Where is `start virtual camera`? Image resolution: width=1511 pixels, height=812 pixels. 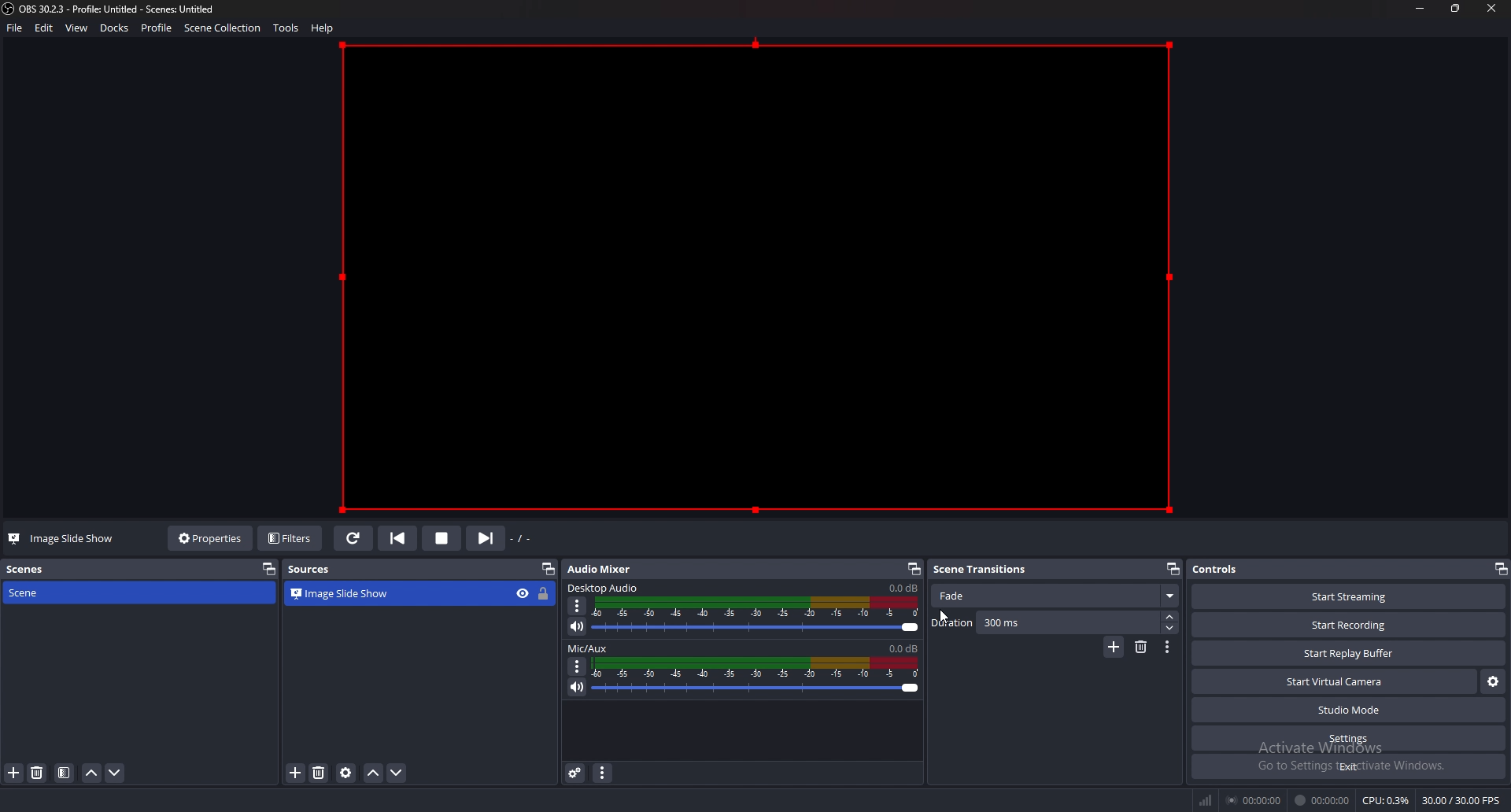
start virtual camera is located at coordinates (1335, 681).